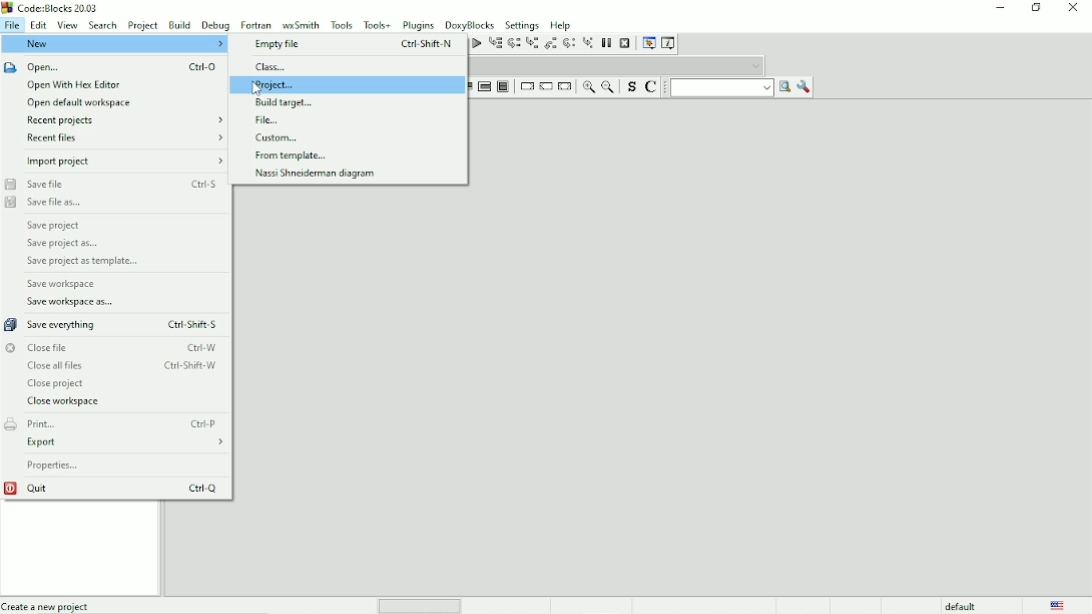 The width and height of the screenshot is (1092, 614). What do you see at coordinates (144, 24) in the screenshot?
I see `Project` at bounding box center [144, 24].